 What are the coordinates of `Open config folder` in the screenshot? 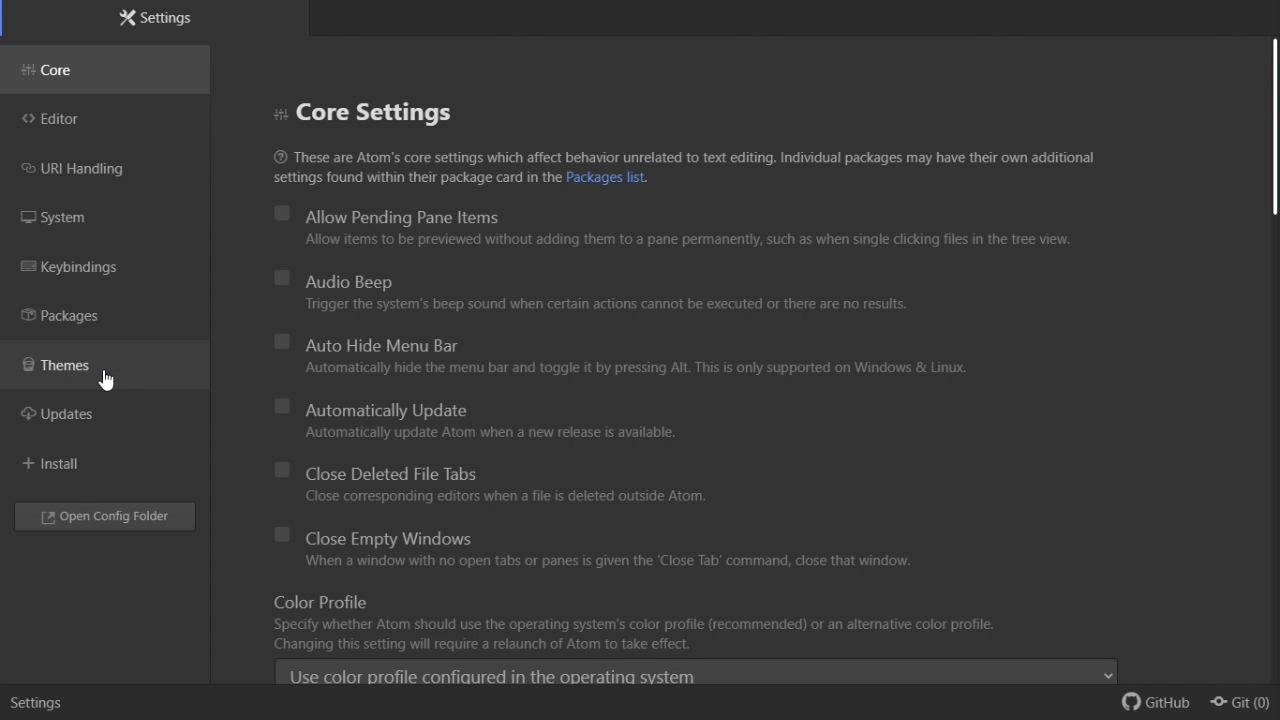 It's located at (107, 517).